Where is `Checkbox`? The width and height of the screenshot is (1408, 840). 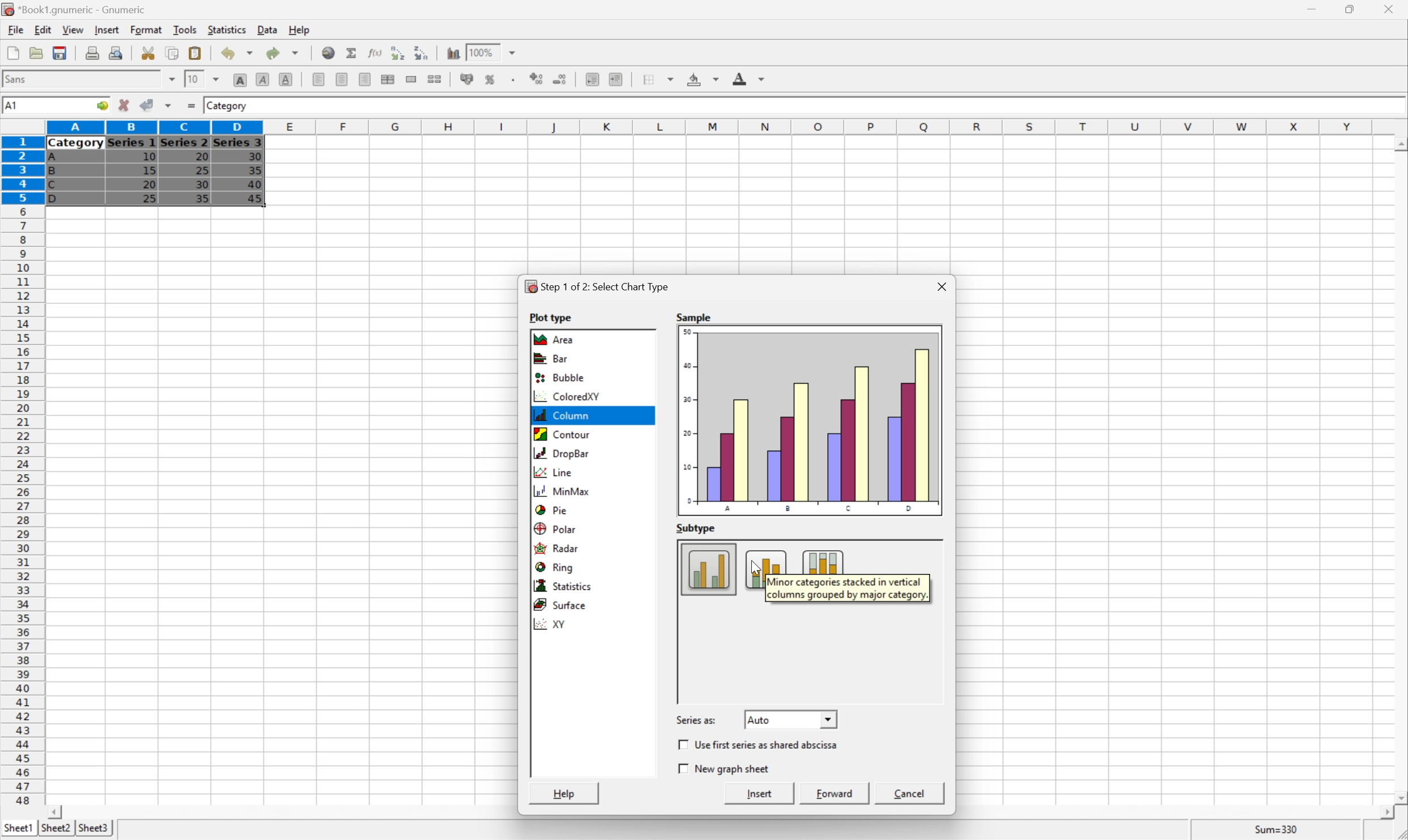
Checkbox is located at coordinates (681, 744).